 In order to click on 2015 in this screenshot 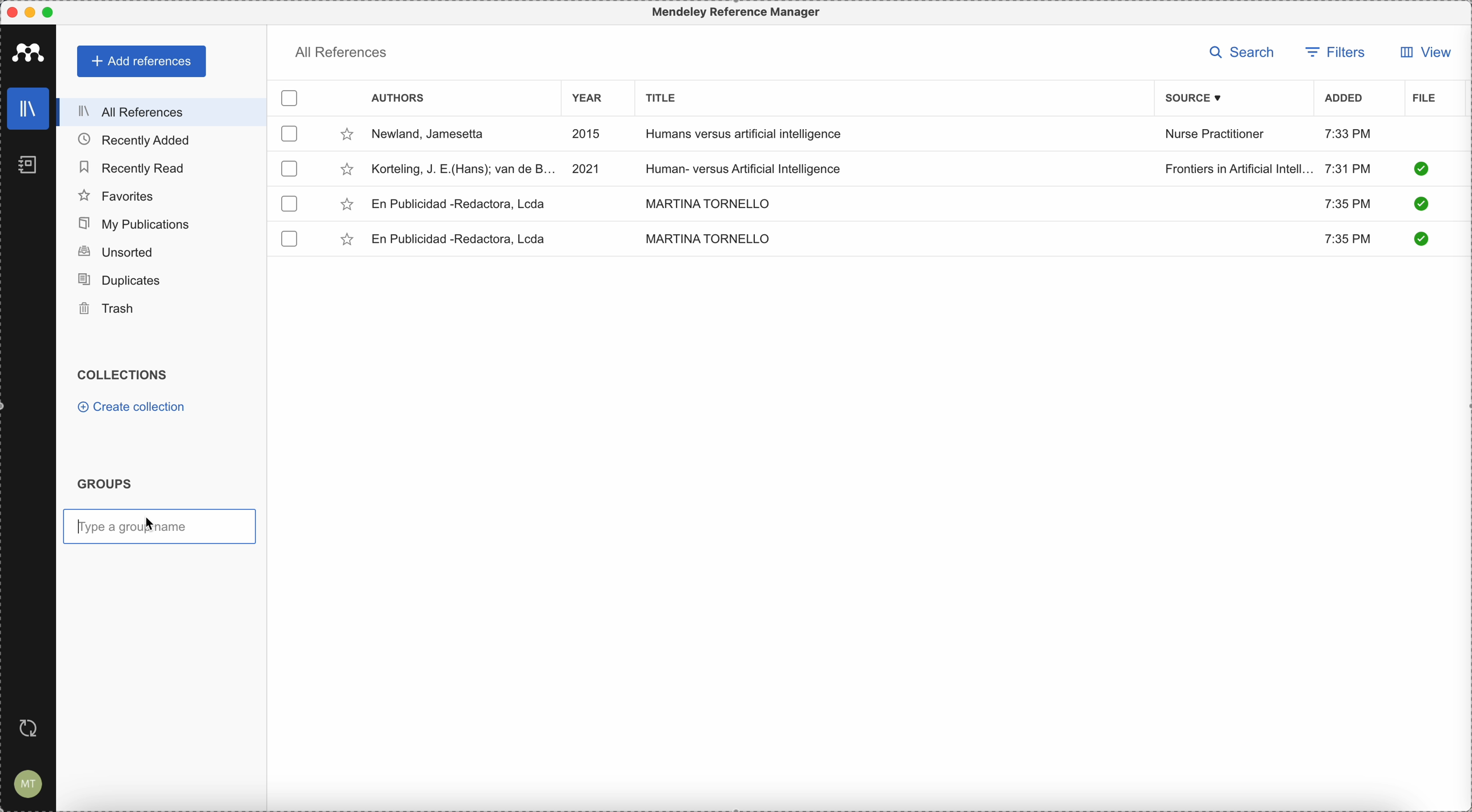, I will do `click(589, 135)`.